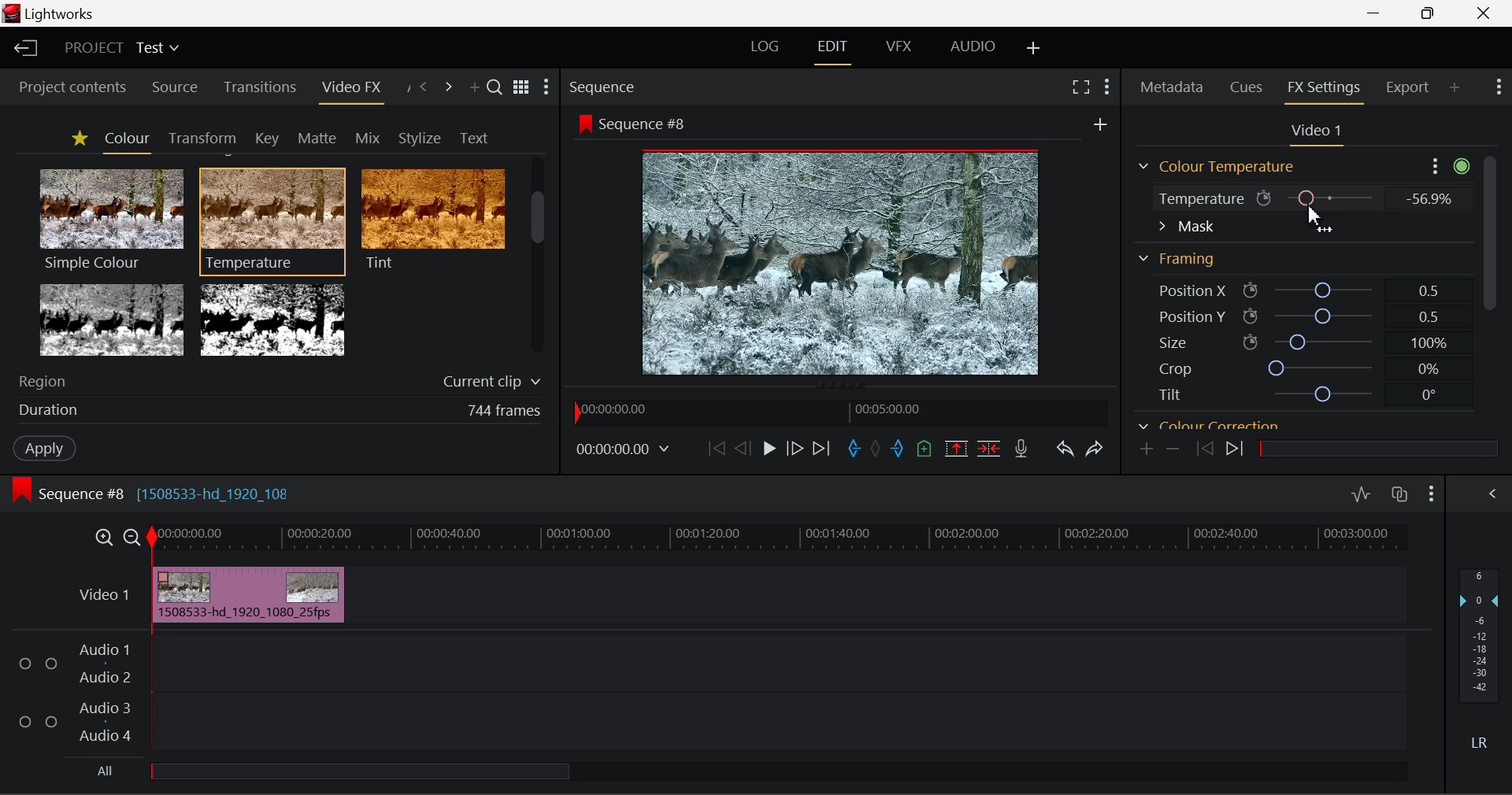  I want to click on Mark In, so click(852, 449).